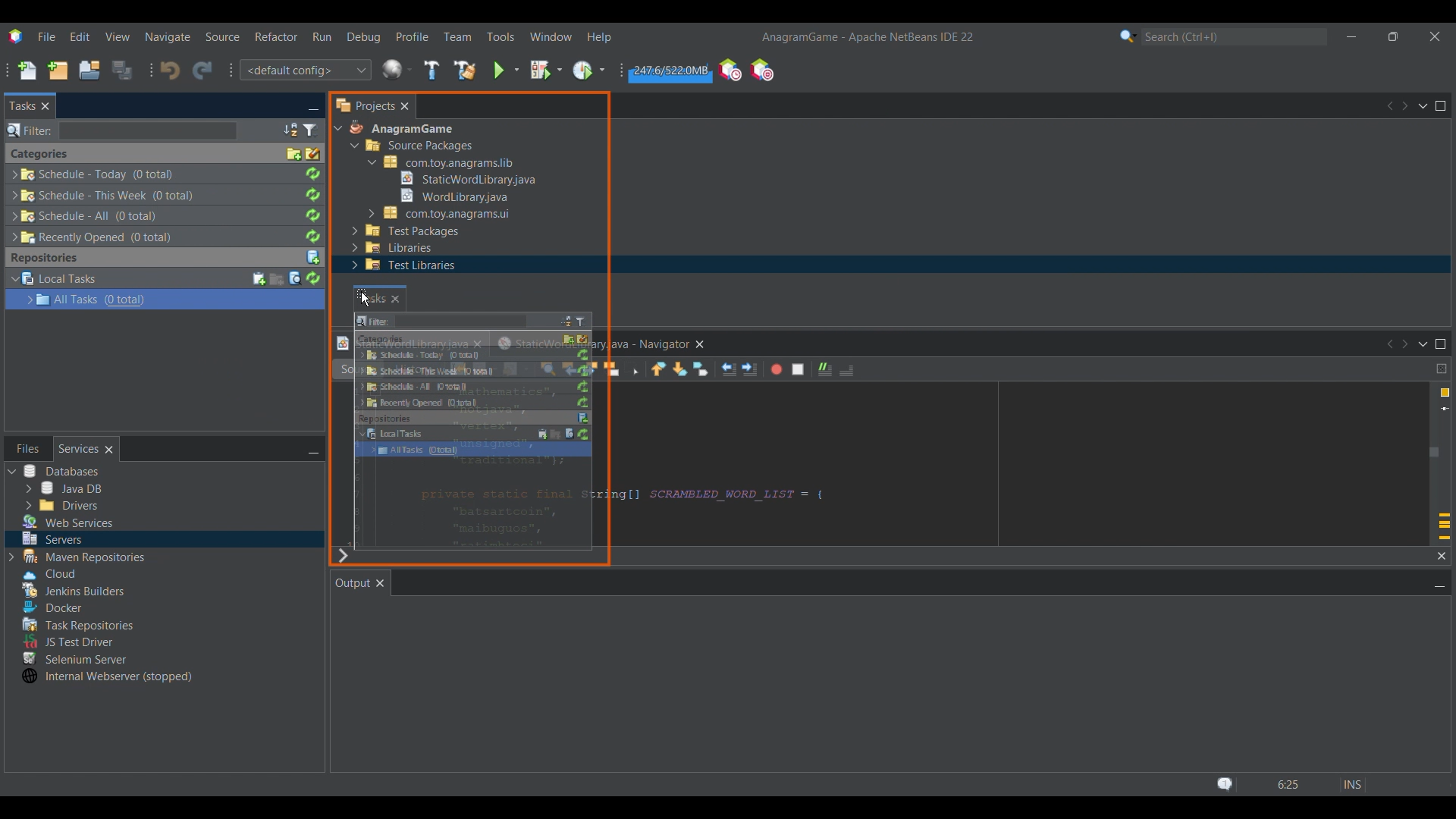 This screenshot has width=1456, height=819. Describe the element at coordinates (106, 676) in the screenshot. I see `` at that location.